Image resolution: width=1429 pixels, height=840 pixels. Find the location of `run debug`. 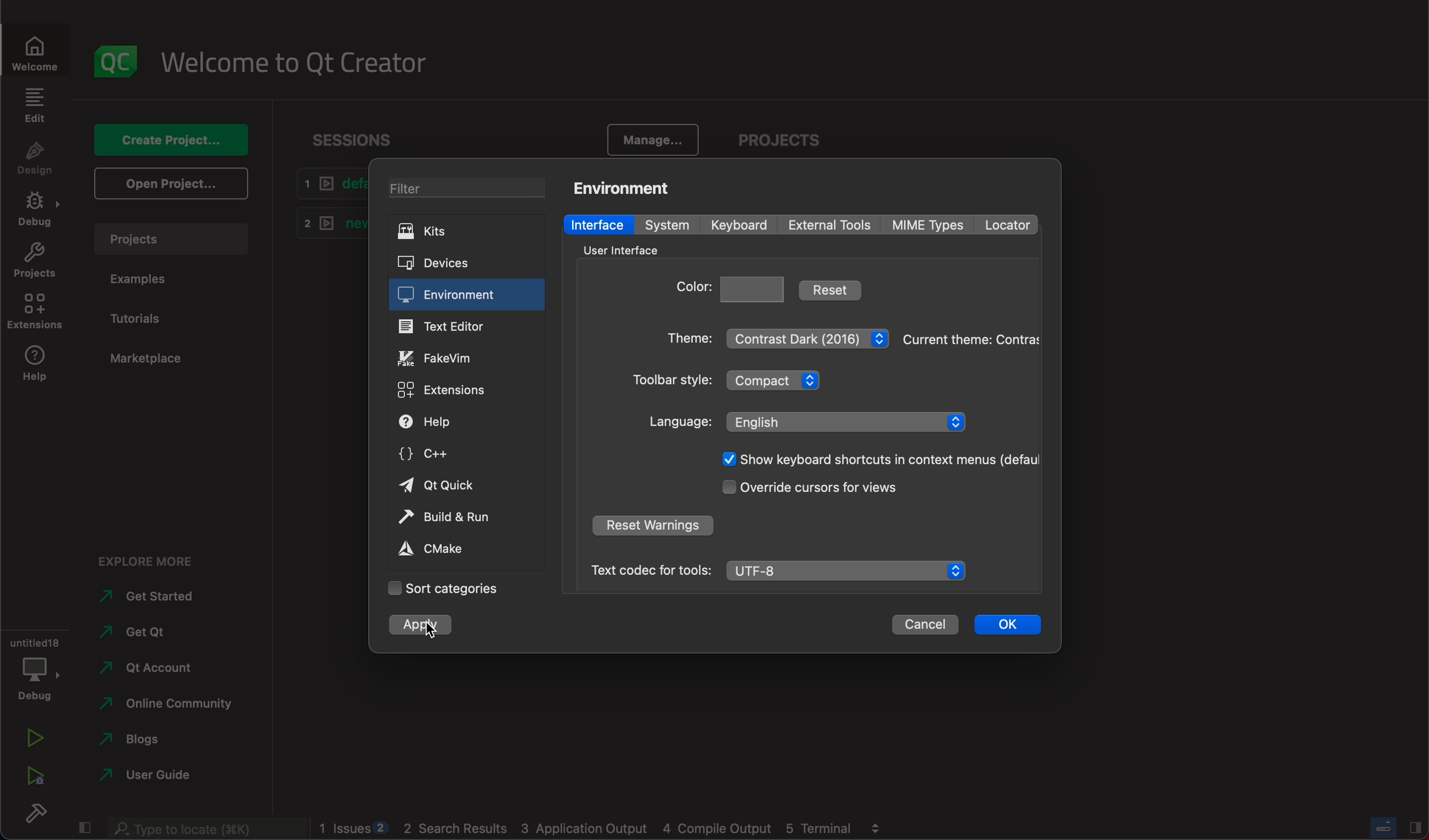

run debug is located at coordinates (33, 777).